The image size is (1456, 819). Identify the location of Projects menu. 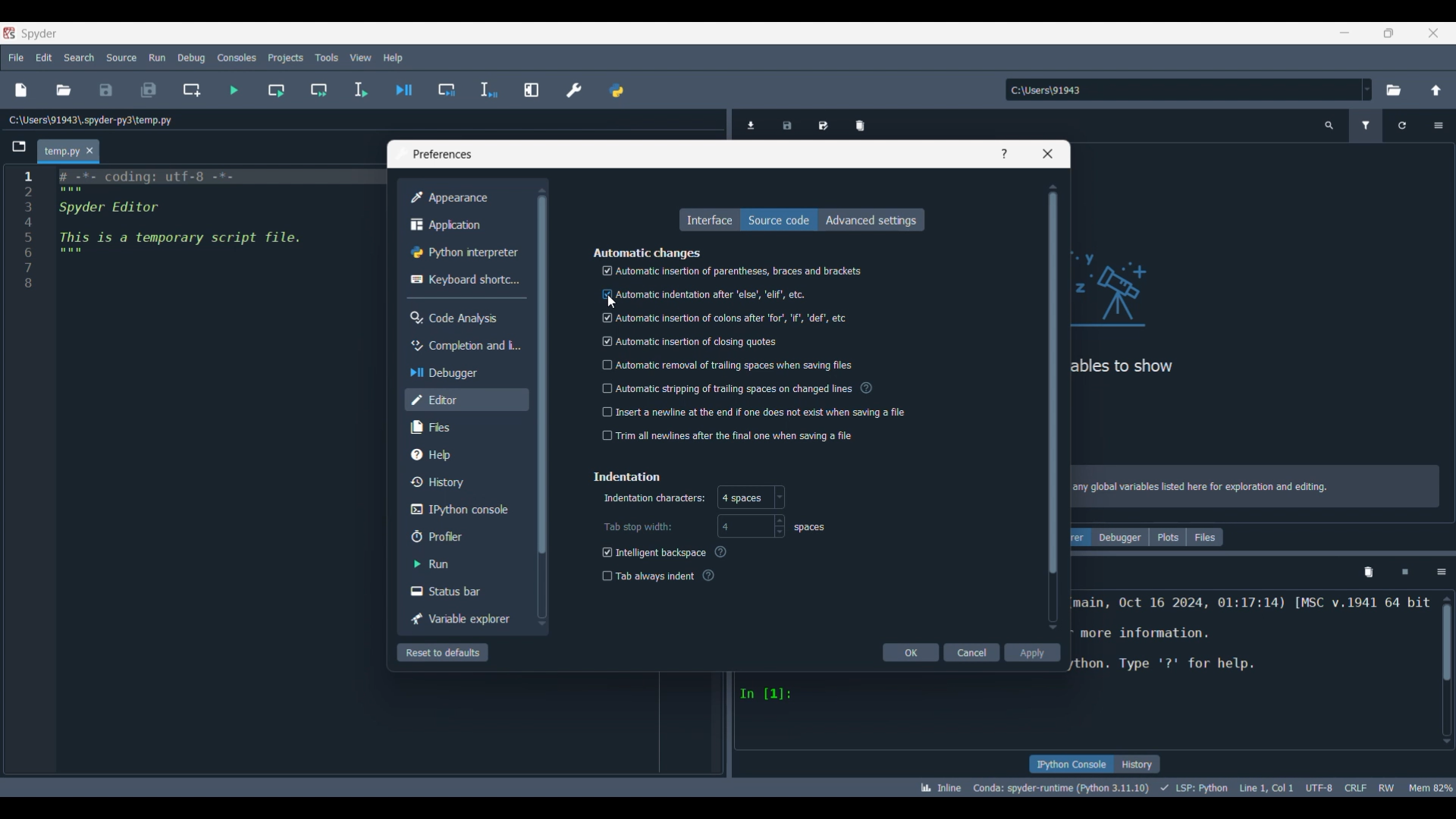
(286, 58).